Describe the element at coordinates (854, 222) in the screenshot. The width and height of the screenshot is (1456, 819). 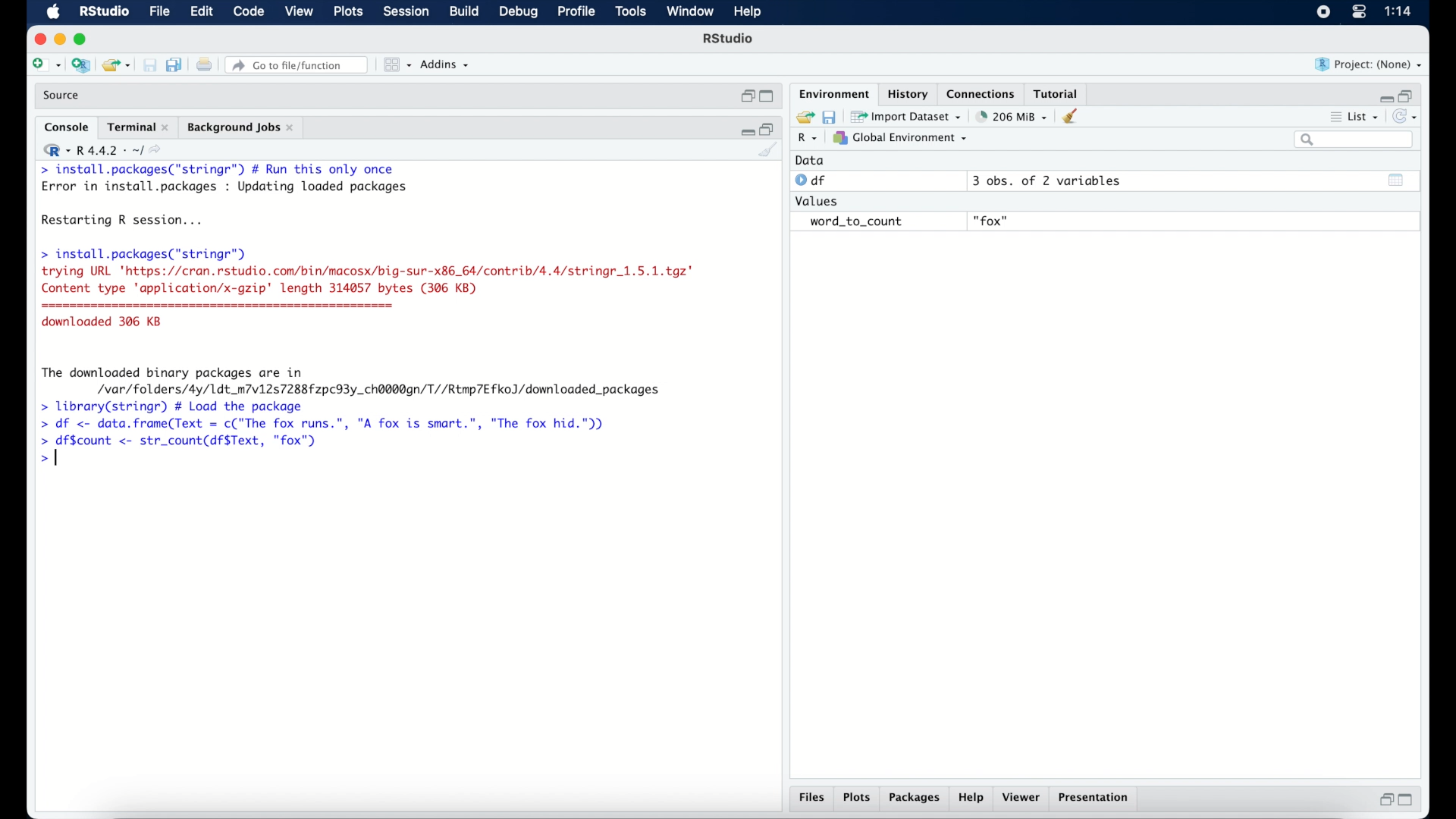
I see `word_to_count` at that location.